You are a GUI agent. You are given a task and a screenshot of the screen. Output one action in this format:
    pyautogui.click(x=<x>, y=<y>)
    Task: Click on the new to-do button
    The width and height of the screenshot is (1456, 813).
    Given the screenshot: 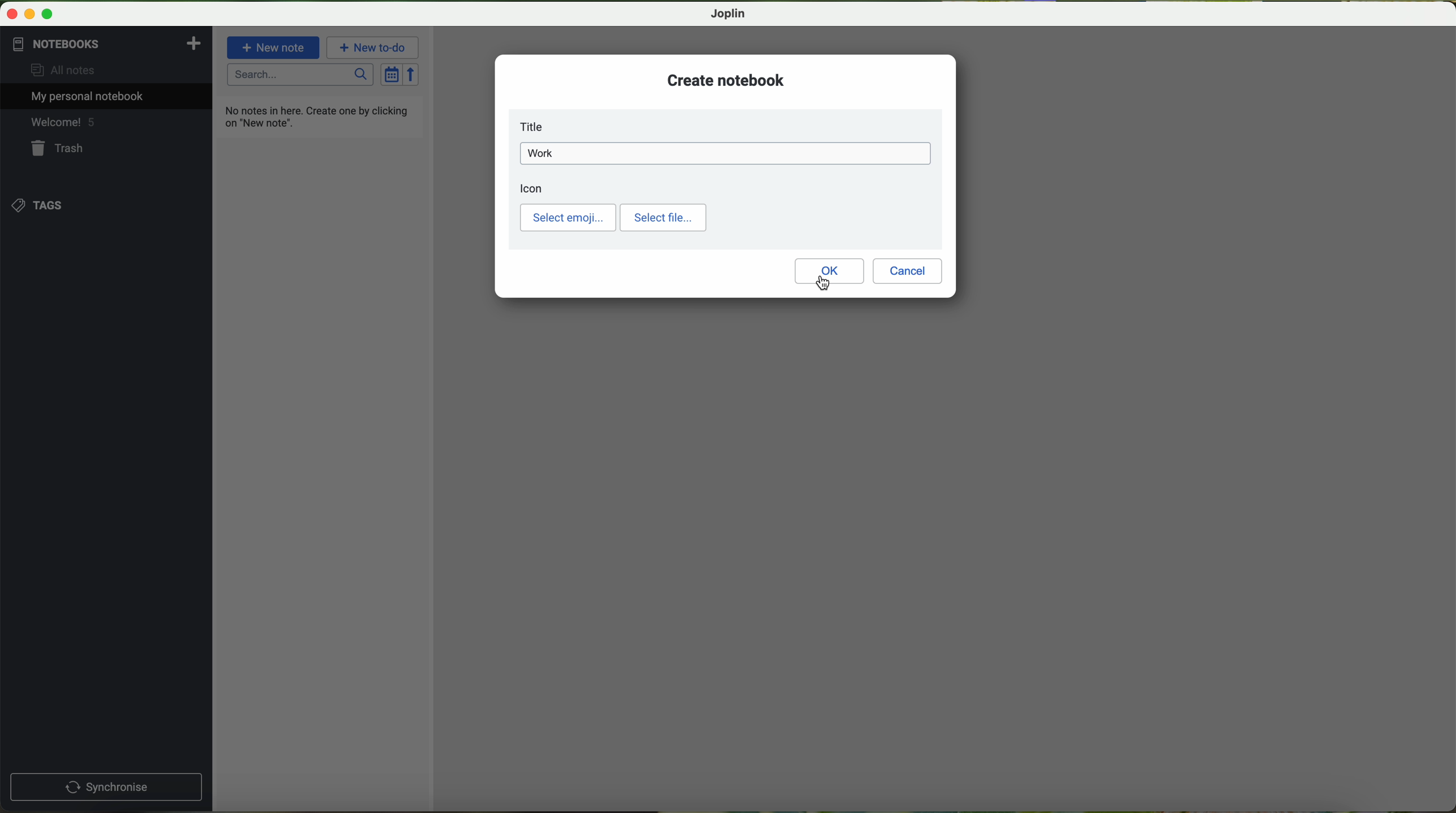 What is the action you would take?
    pyautogui.click(x=374, y=47)
    